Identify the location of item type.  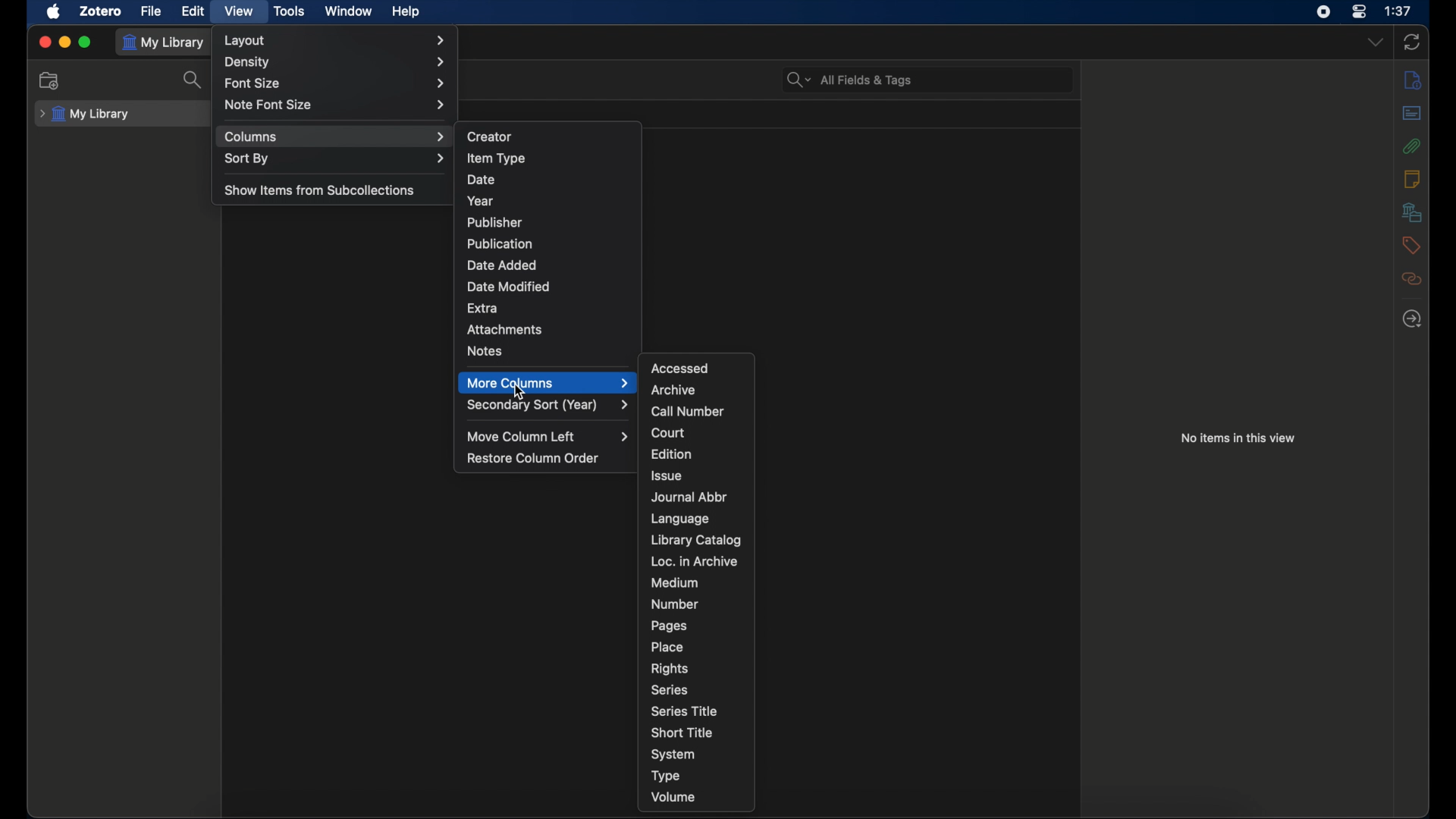
(497, 158).